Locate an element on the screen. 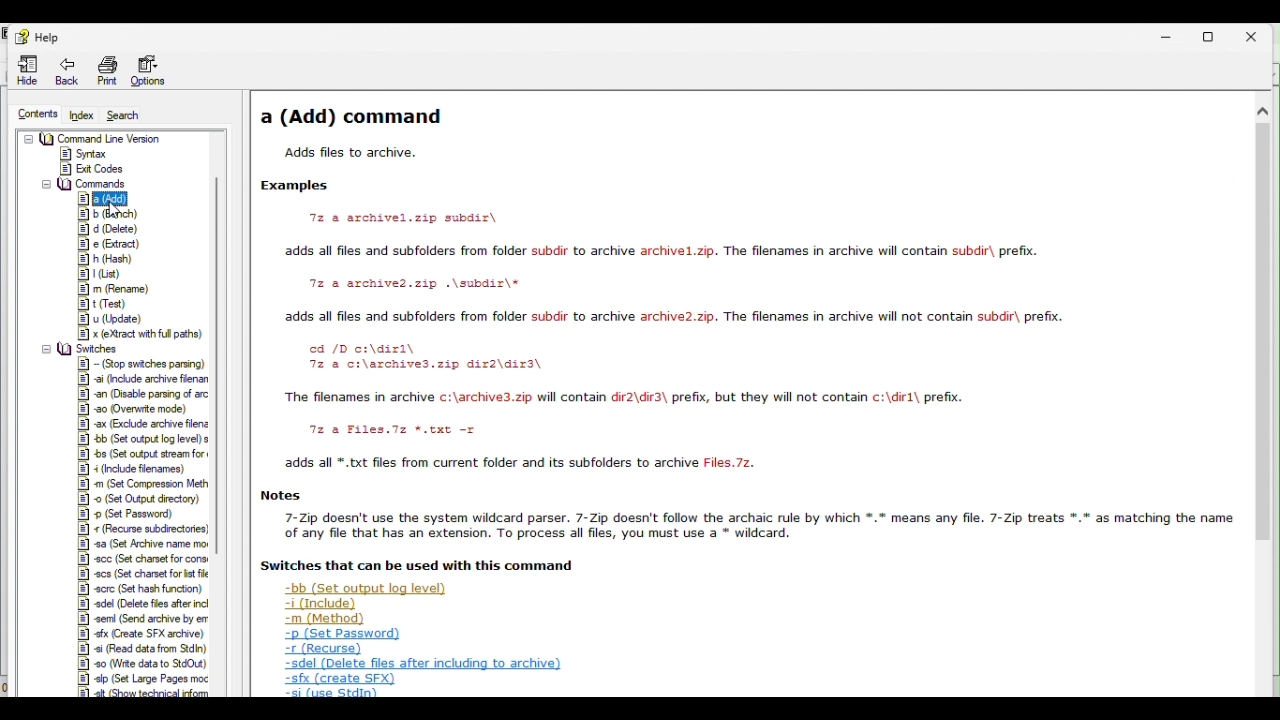 The image size is (1280, 720). Restore is located at coordinates (1209, 39).